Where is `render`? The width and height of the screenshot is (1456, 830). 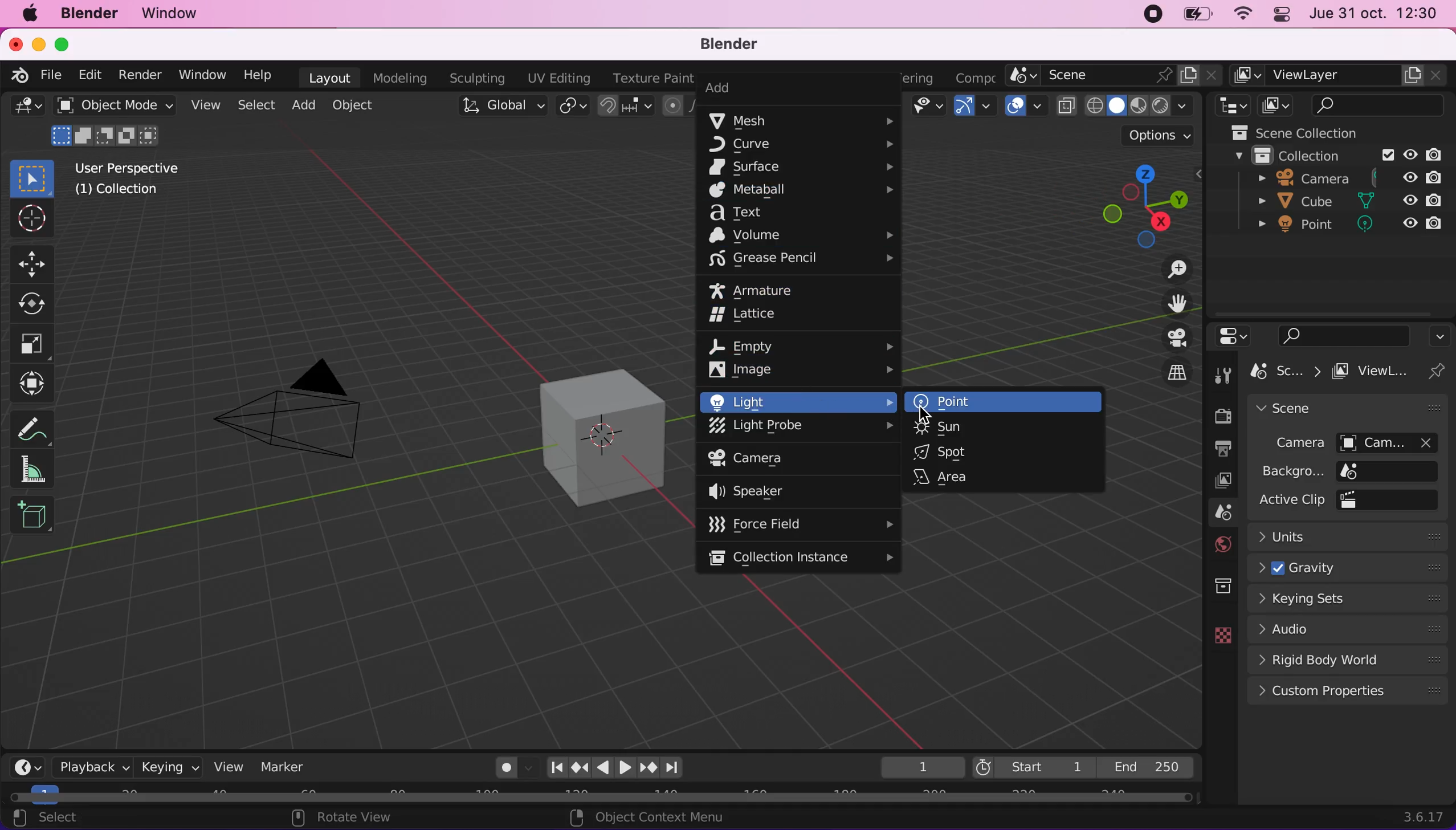 render is located at coordinates (141, 76).